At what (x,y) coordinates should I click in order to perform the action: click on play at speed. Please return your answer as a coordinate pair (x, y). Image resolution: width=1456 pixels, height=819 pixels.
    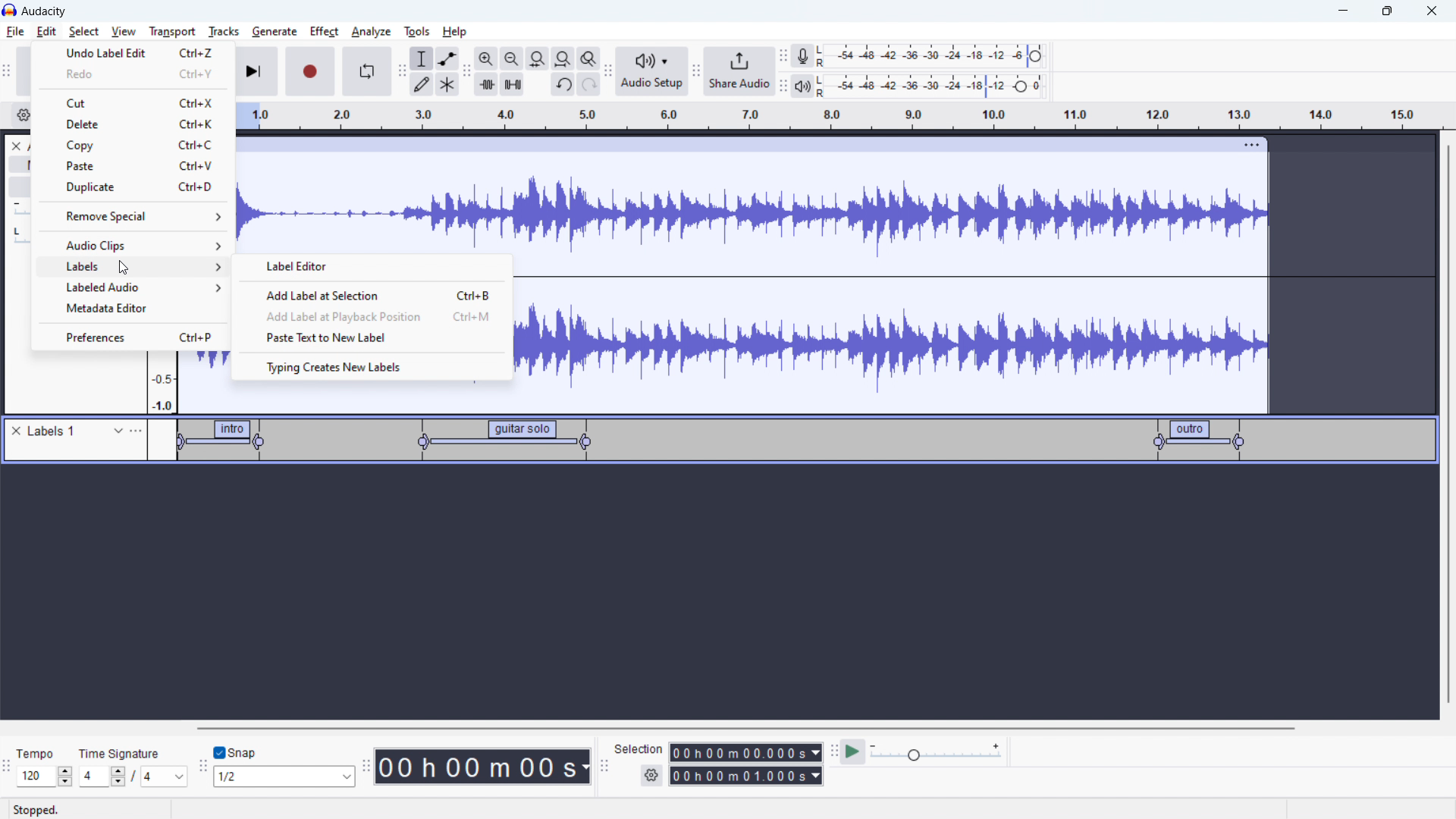
    Looking at the image, I should click on (852, 751).